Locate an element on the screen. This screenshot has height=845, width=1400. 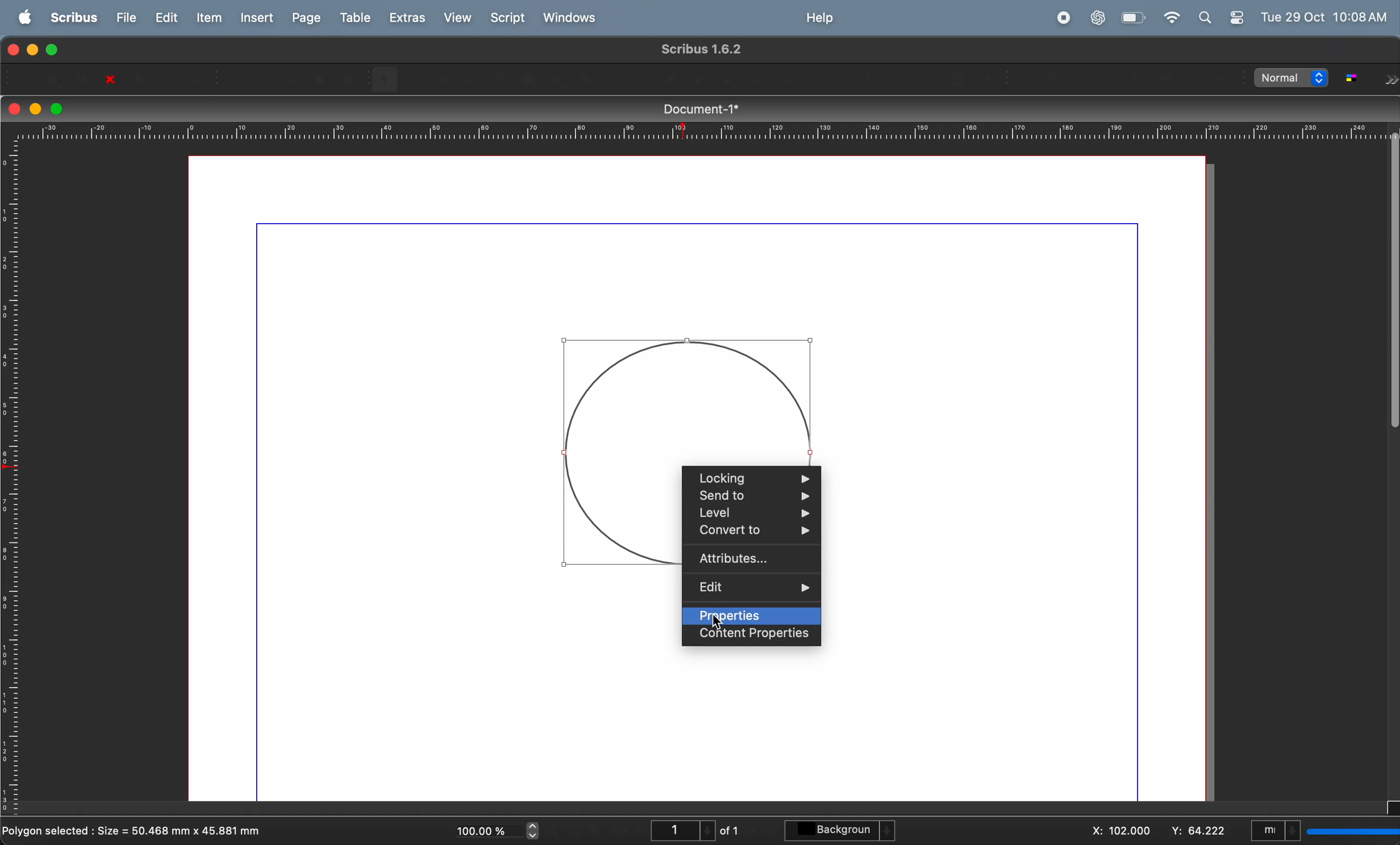
file is located at coordinates (122, 16).